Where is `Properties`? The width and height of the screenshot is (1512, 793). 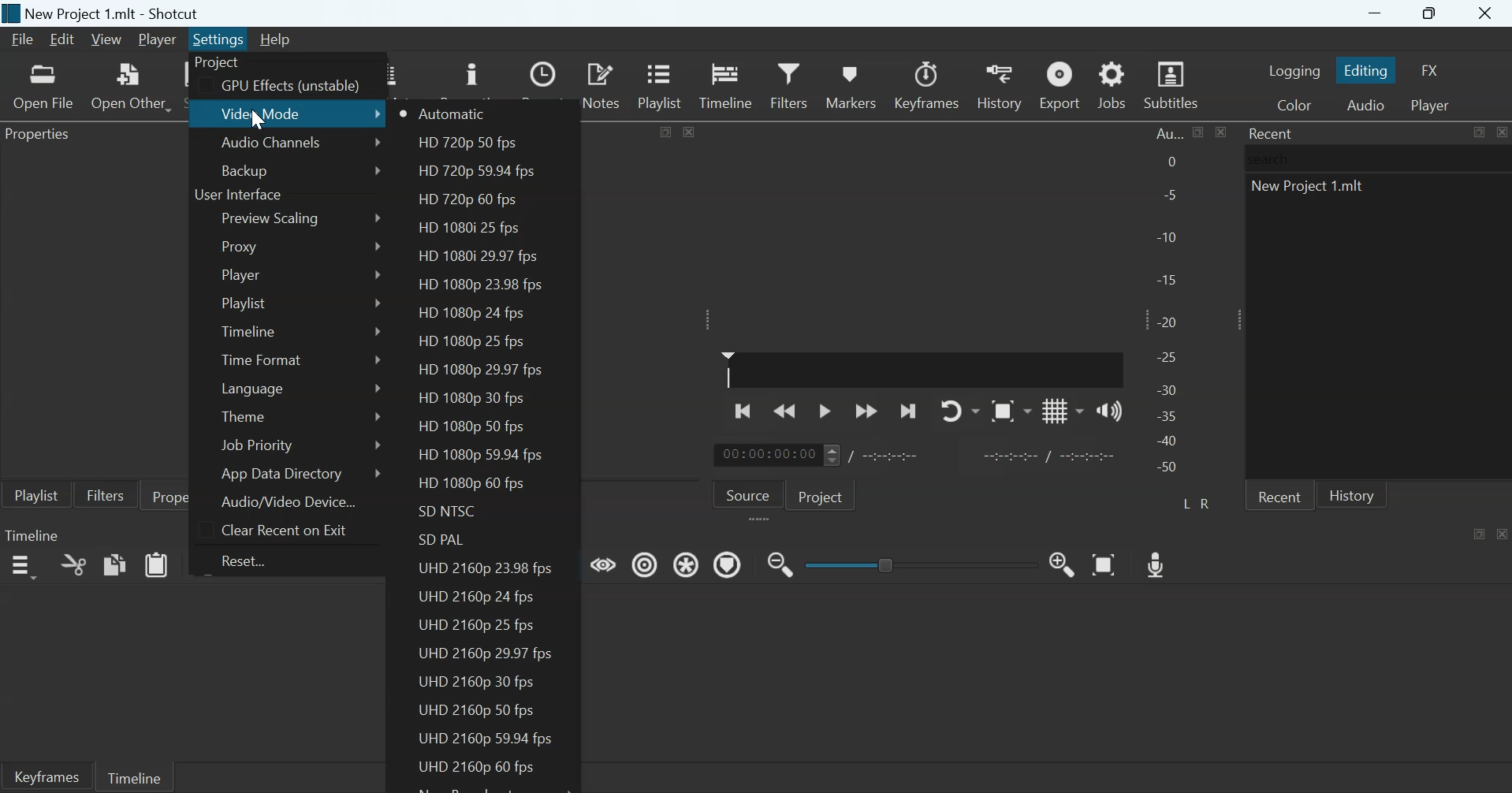
Properties is located at coordinates (471, 78).